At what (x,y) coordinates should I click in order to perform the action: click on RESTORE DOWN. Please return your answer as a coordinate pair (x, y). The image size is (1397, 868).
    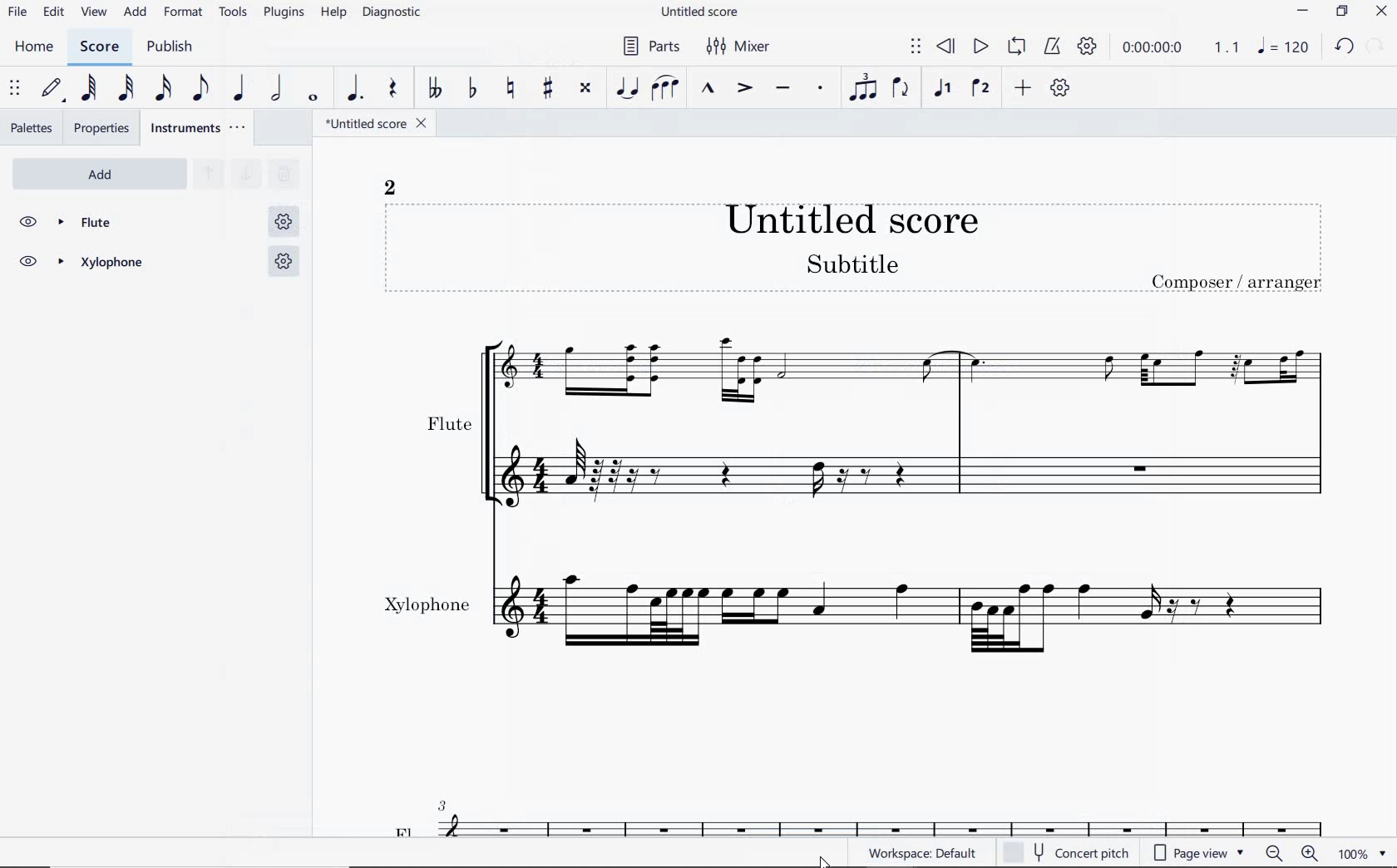
    Looking at the image, I should click on (1341, 12).